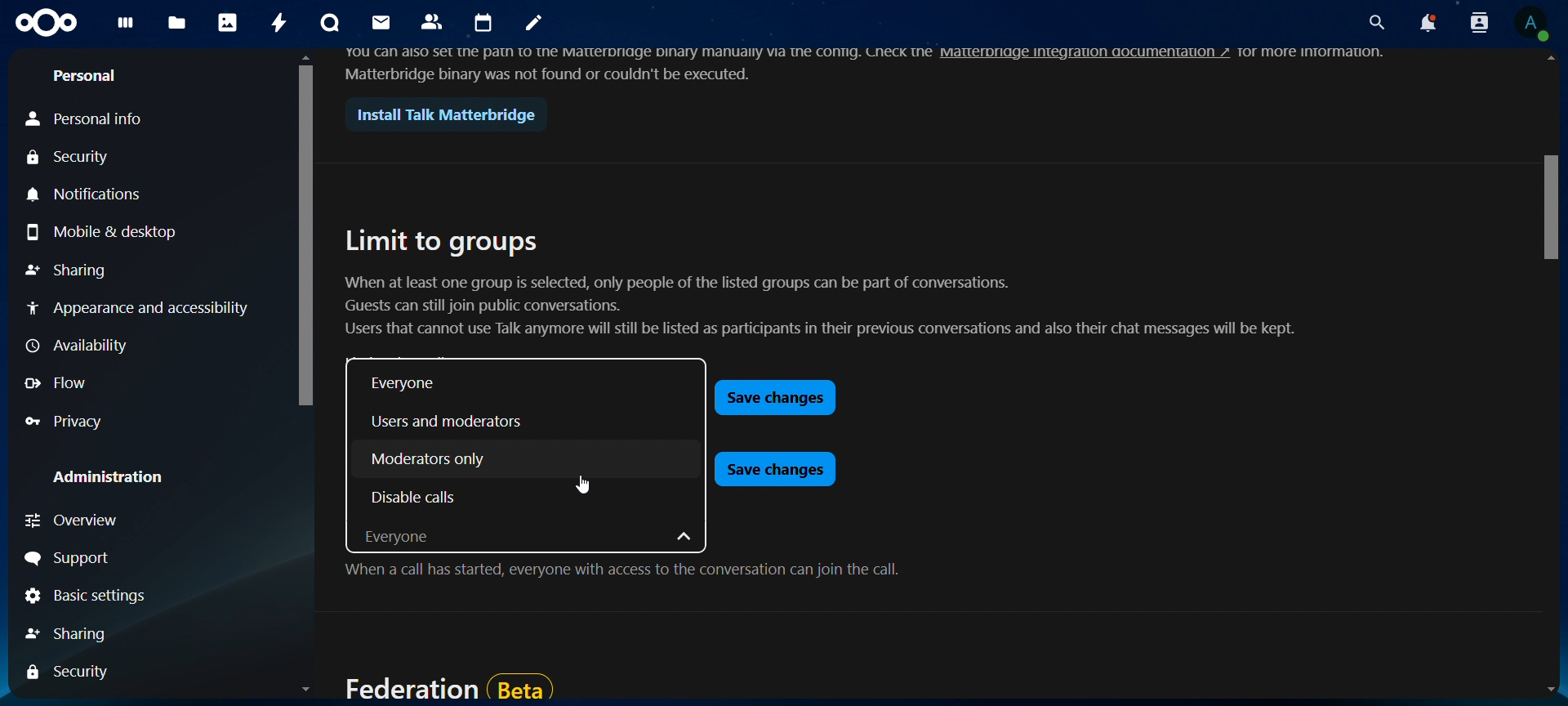 The height and width of the screenshot is (706, 1568). What do you see at coordinates (116, 556) in the screenshot?
I see `Signout` at bounding box center [116, 556].